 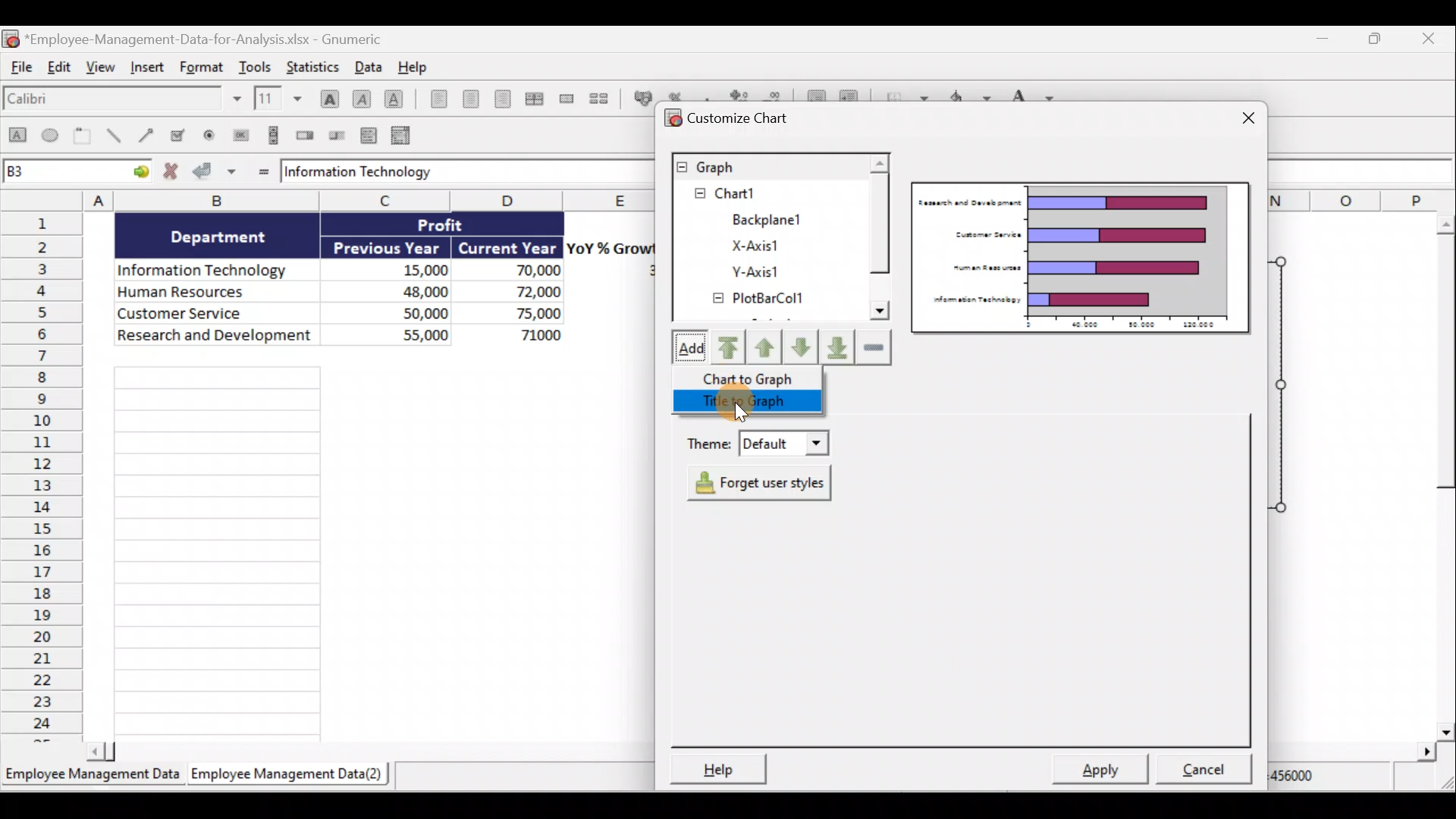 I want to click on Data, so click(x=367, y=66).